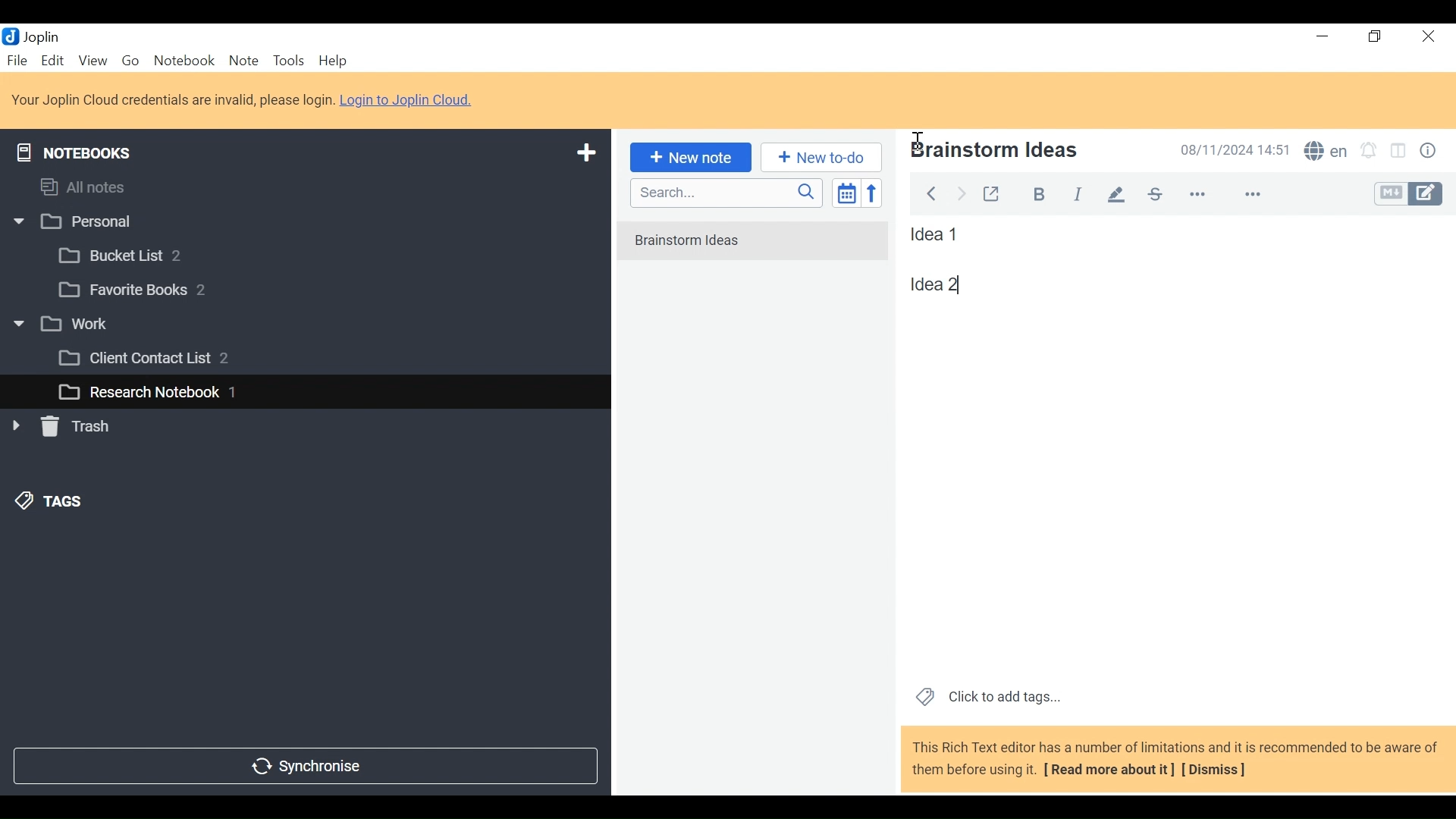 This screenshot has height=819, width=1456. What do you see at coordinates (304, 764) in the screenshot?
I see `Synchronize` at bounding box center [304, 764].